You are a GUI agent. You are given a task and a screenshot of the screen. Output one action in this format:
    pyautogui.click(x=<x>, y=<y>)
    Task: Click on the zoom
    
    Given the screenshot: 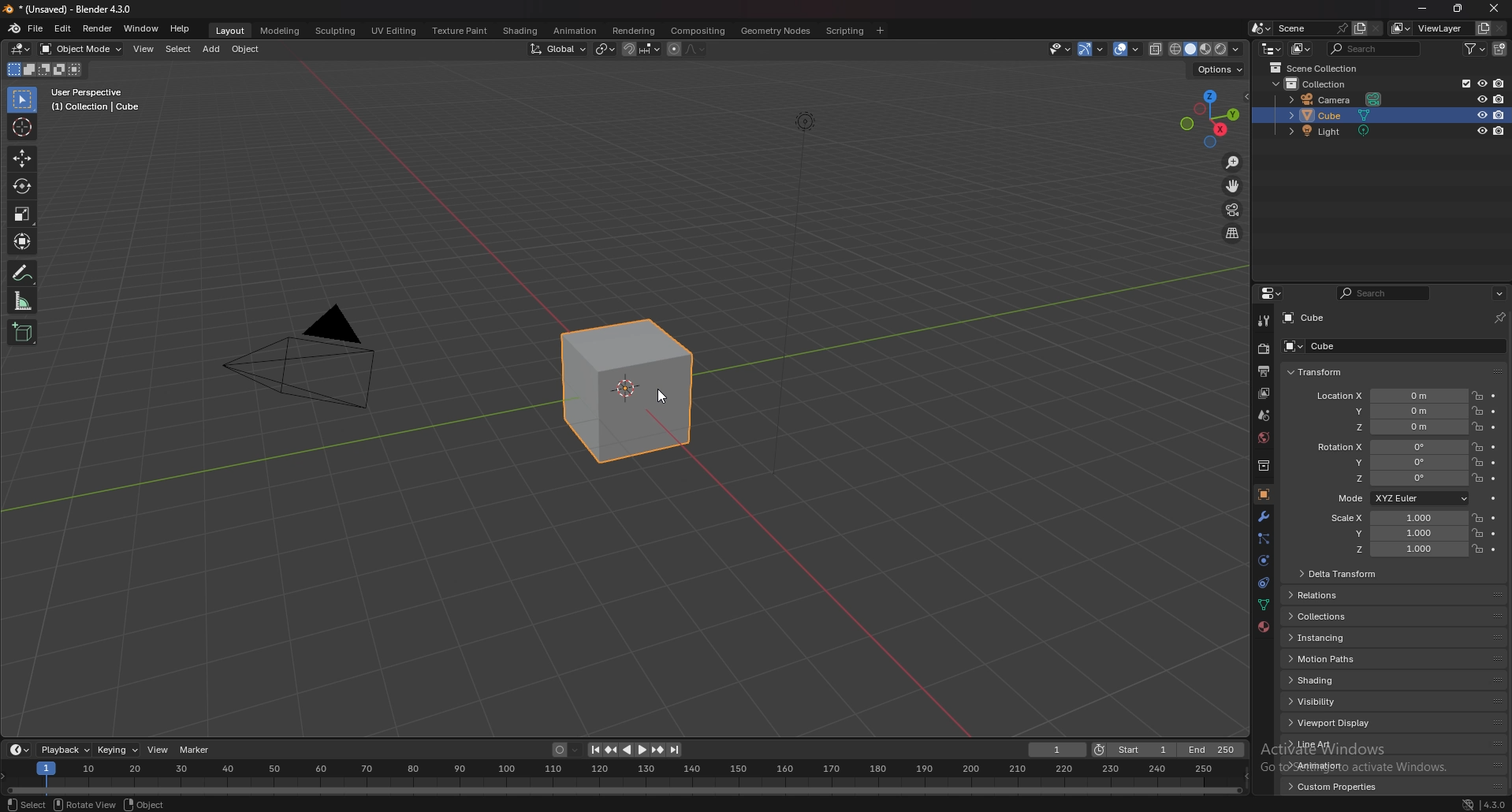 What is the action you would take?
    pyautogui.click(x=1234, y=163)
    